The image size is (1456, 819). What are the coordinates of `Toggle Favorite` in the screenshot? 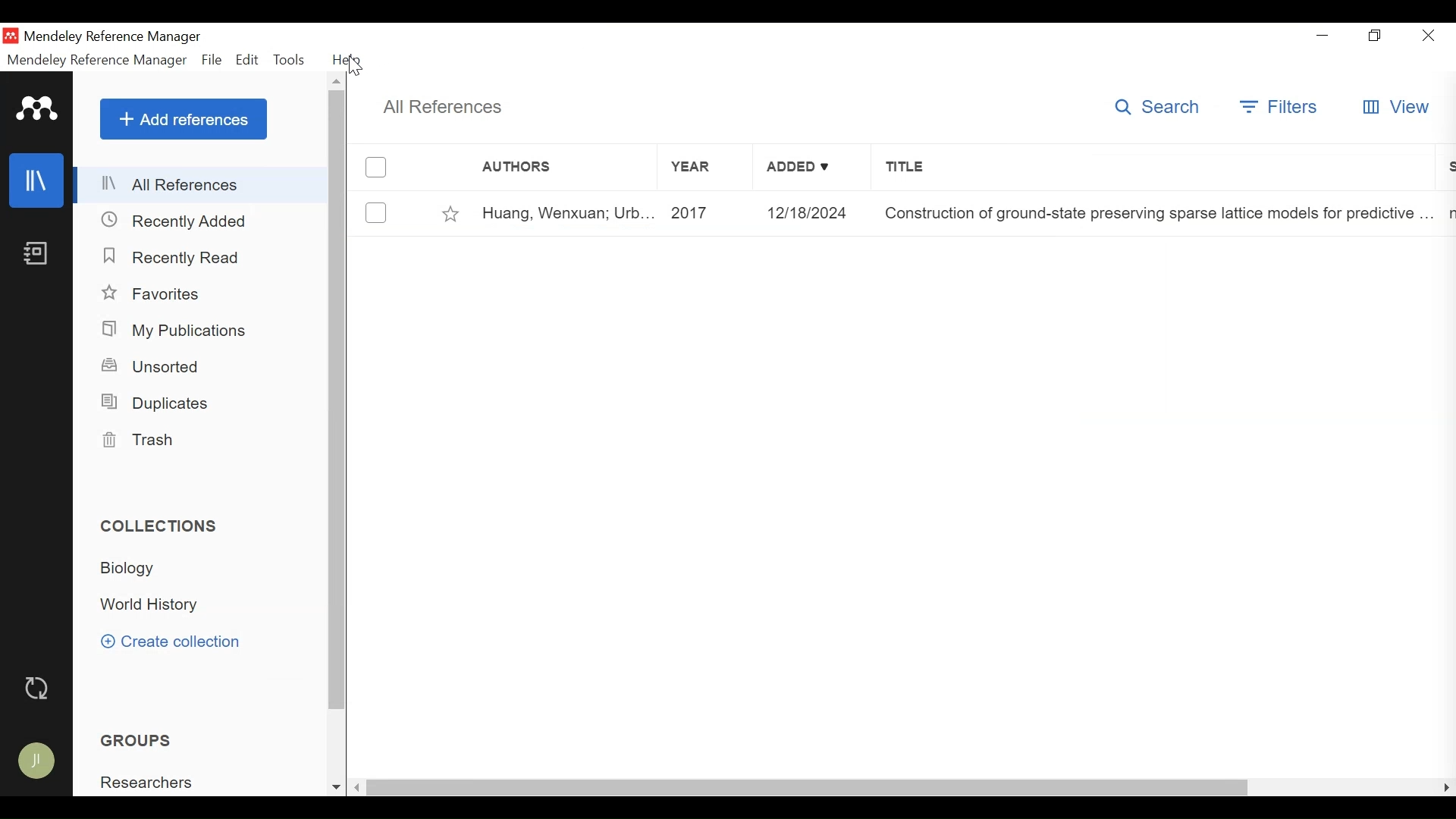 It's located at (444, 213).